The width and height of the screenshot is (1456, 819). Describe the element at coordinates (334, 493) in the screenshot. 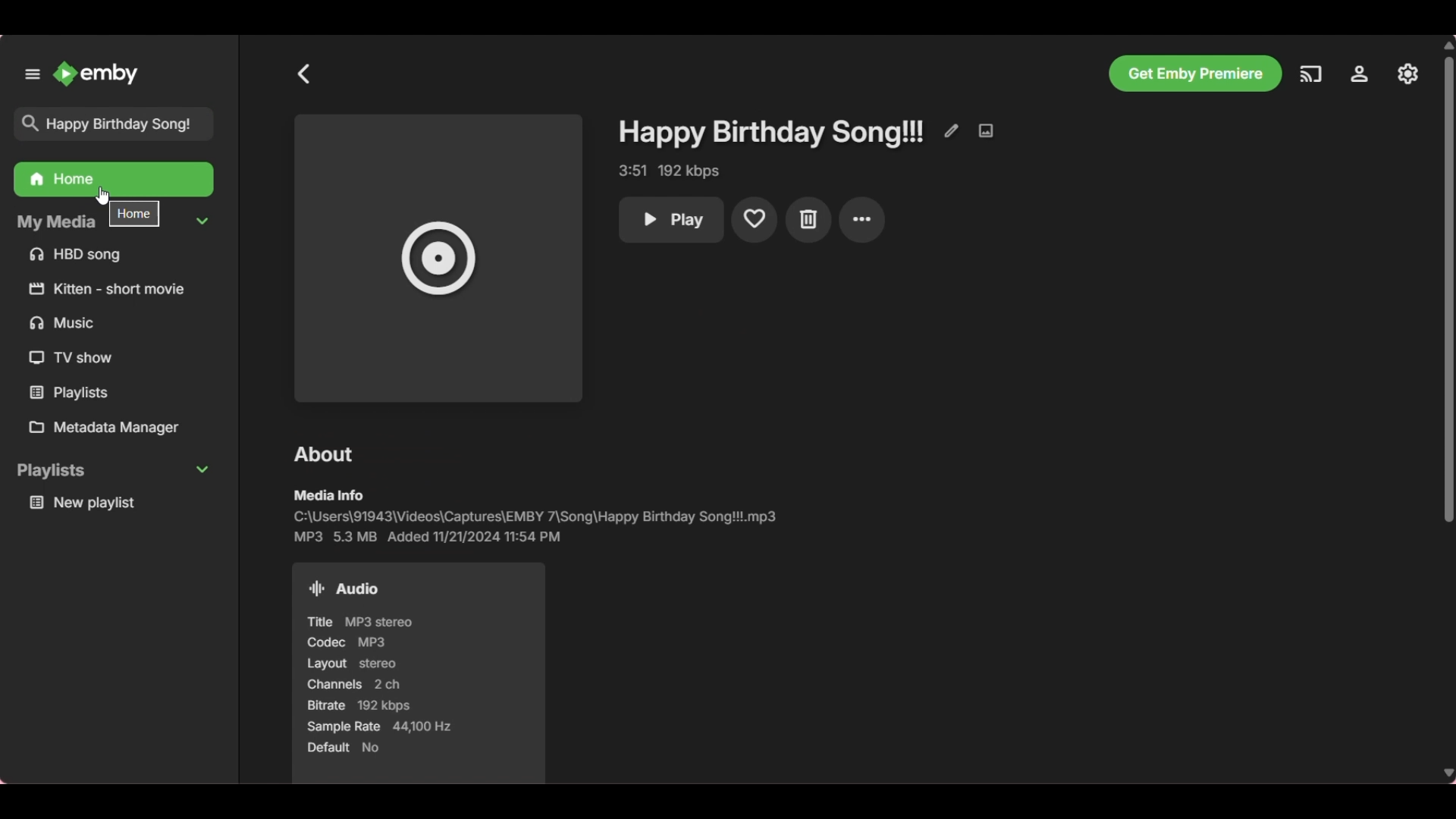

I see `media info` at that location.